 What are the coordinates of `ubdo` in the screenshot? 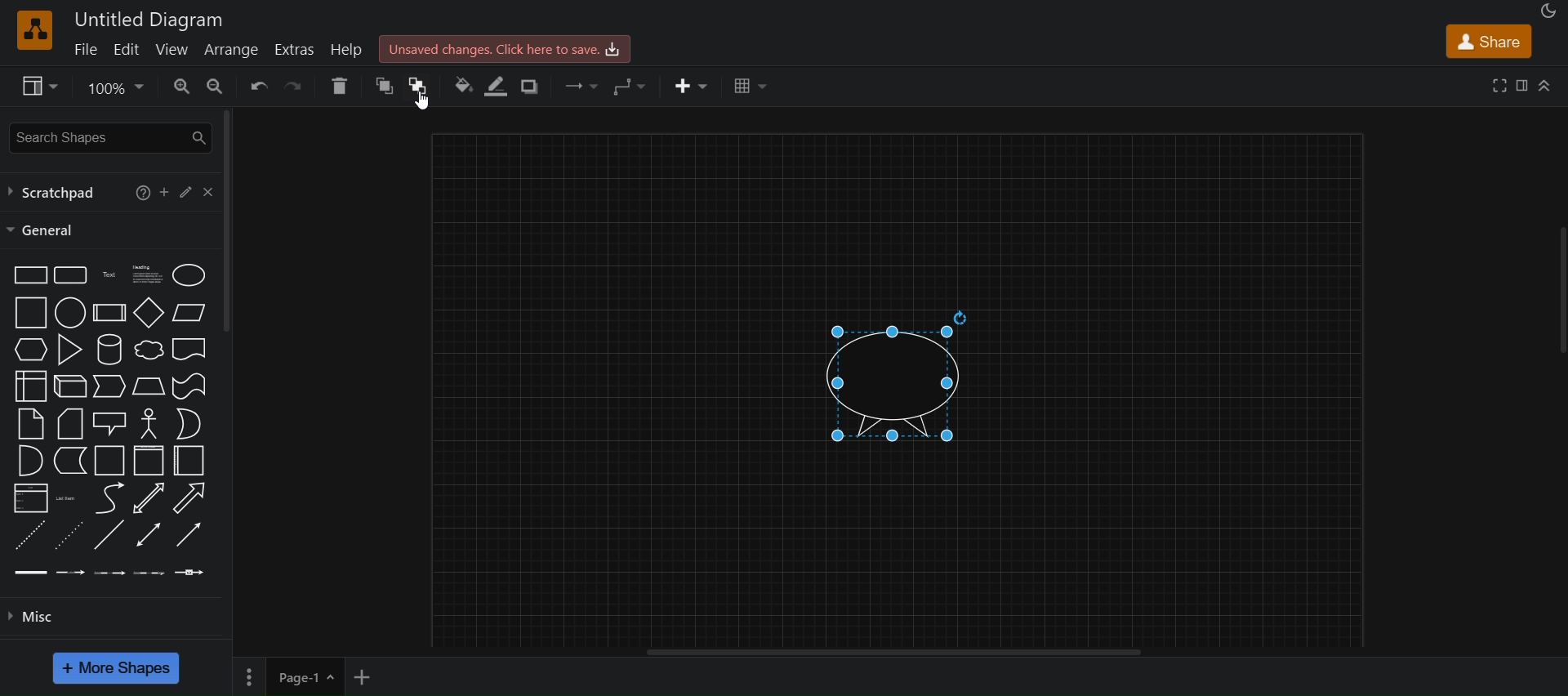 It's located at (260, 86).